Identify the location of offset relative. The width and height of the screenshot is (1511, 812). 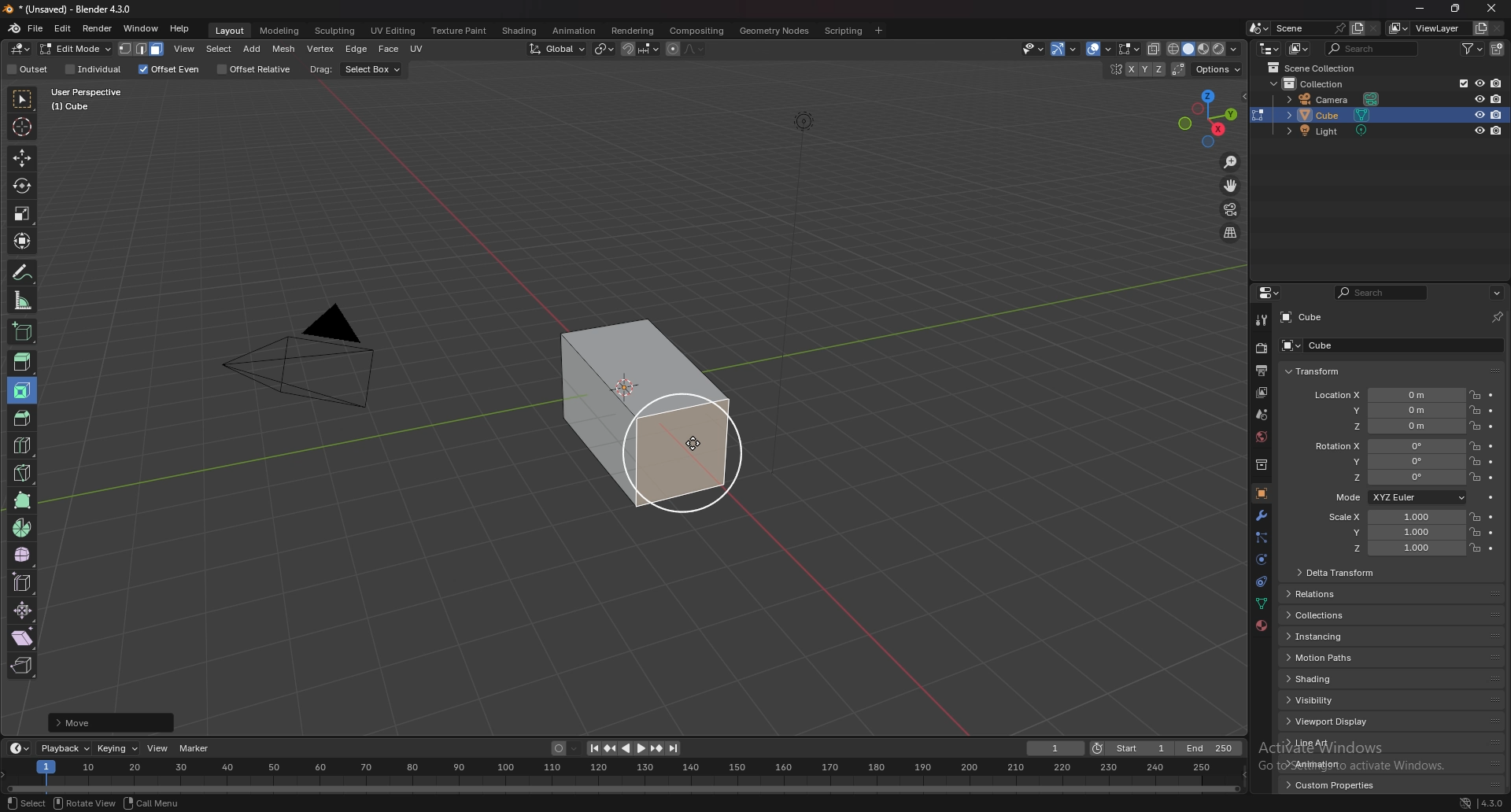
(257, 69).